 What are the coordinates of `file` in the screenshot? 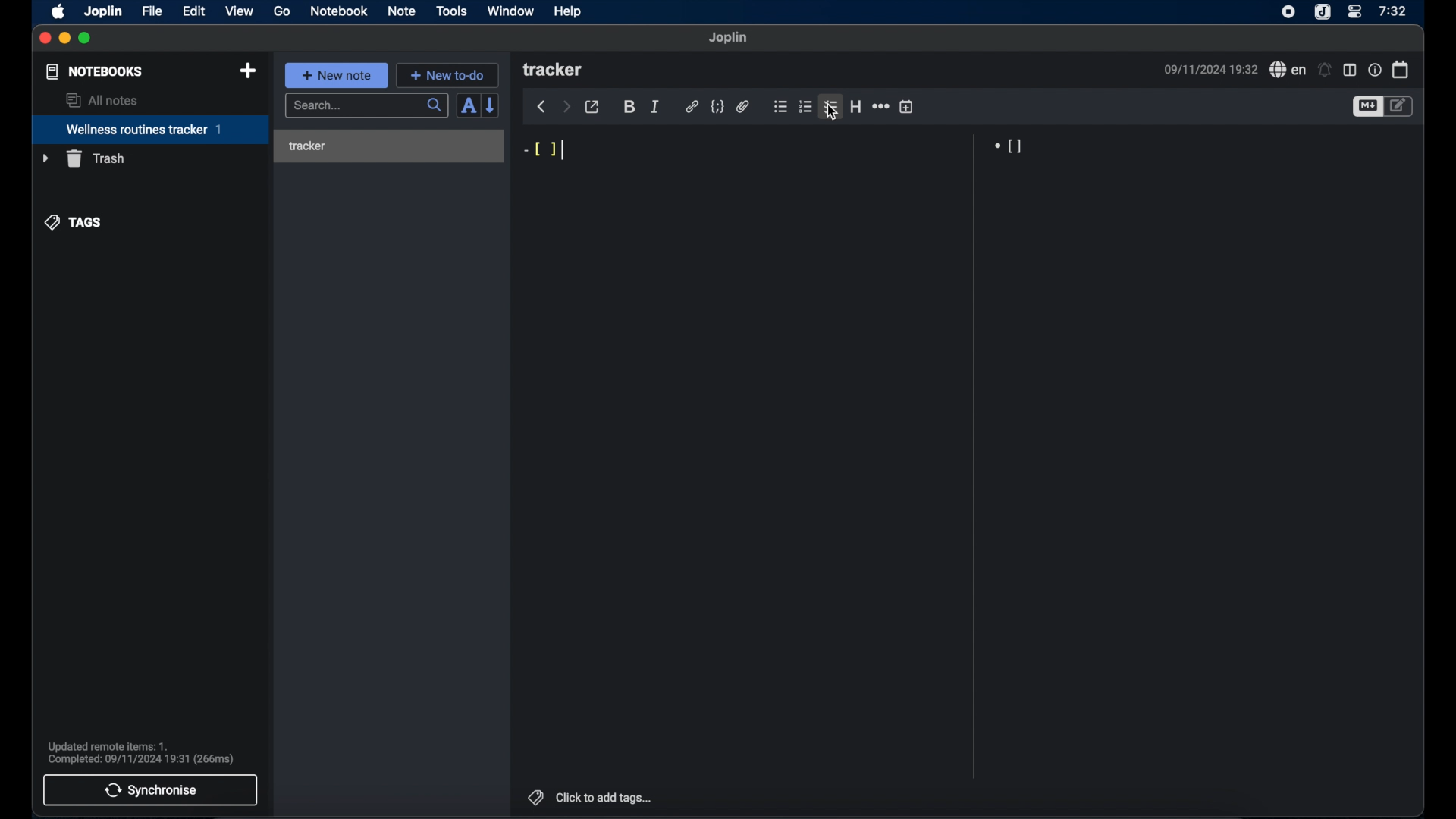 It's located at (152, 11).